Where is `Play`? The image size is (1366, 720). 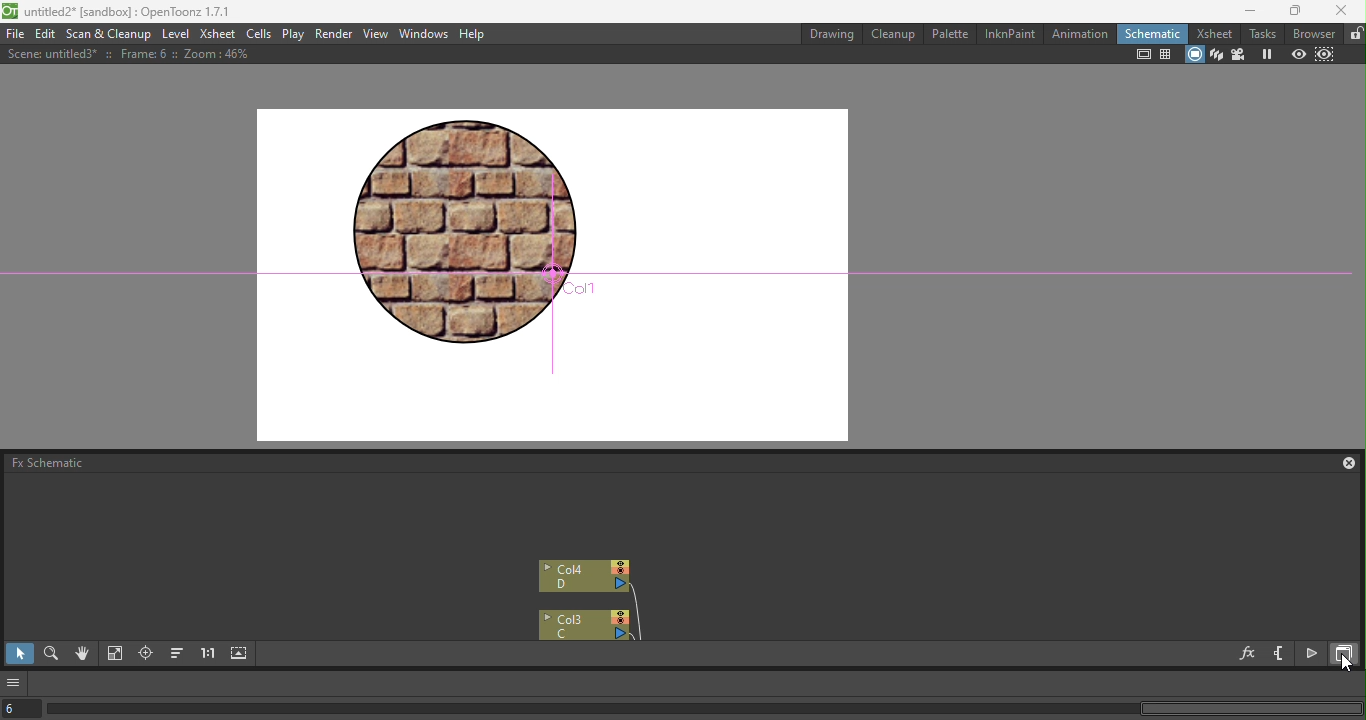 Play is located at coordinates (293, 34).